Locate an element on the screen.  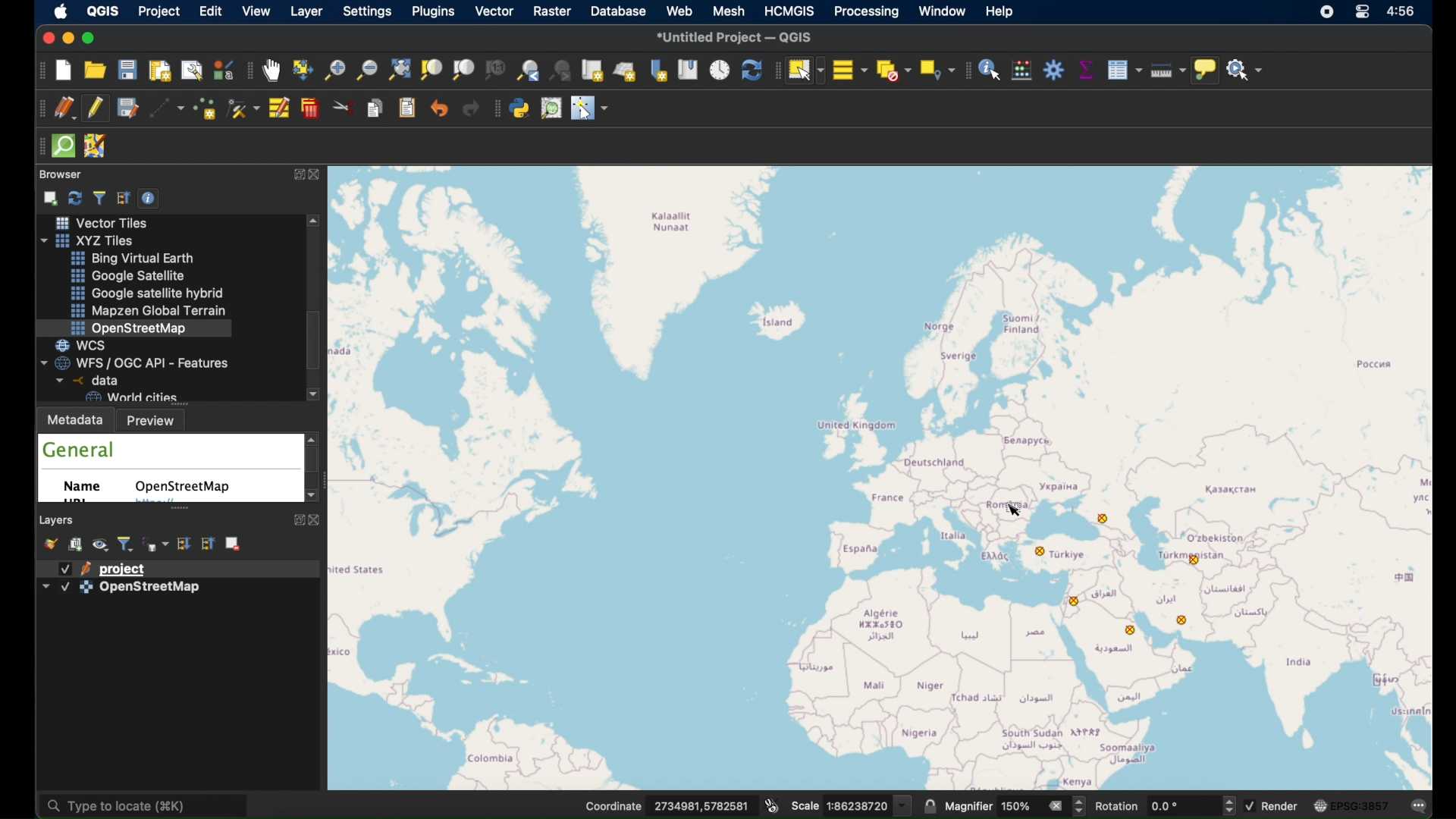
map navigation toolbar is located at coordinates (249, 72).